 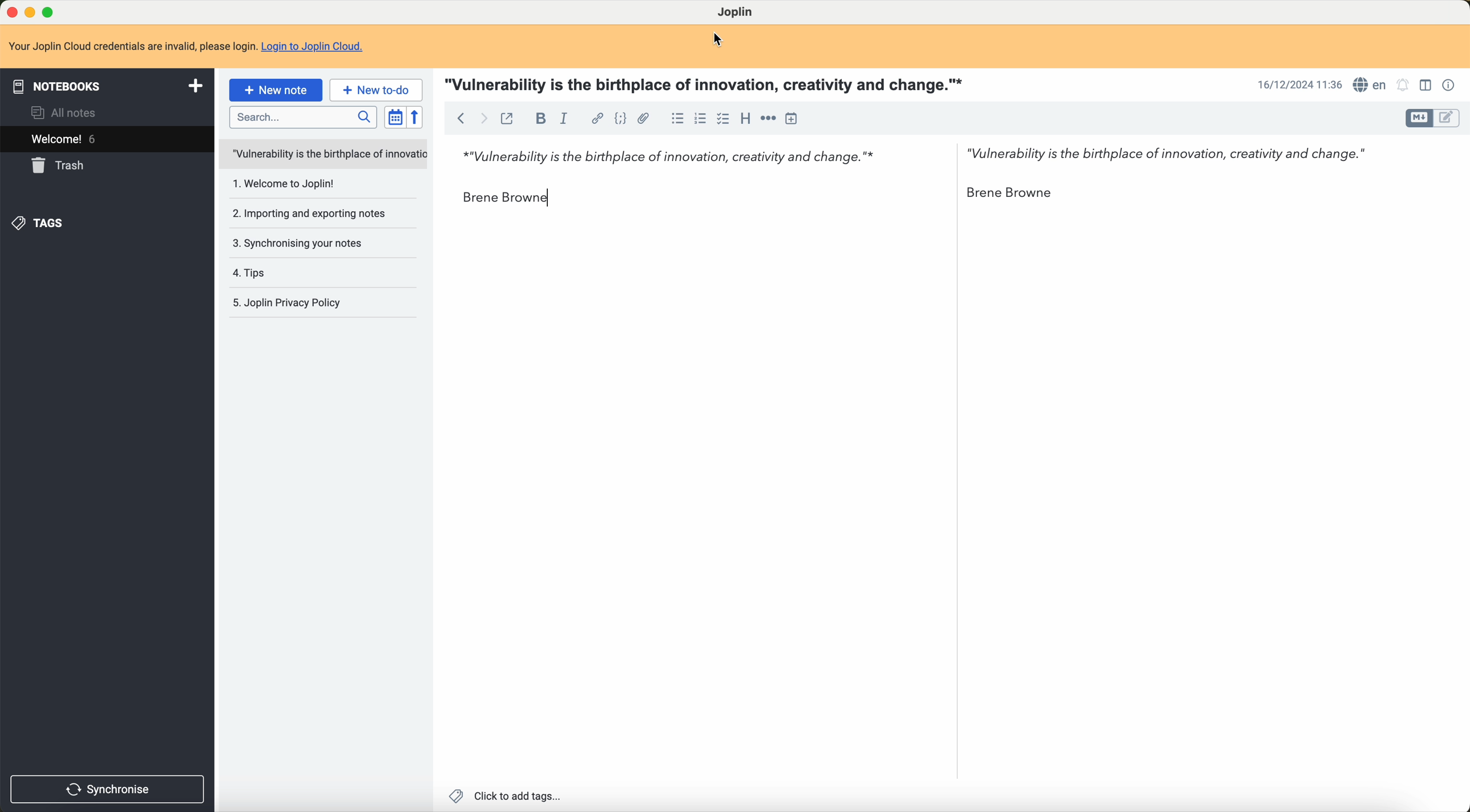 What do you see at coordinates (377, 90) in the screenshot?
I see `new to-do` at bounding box center [377, 90].